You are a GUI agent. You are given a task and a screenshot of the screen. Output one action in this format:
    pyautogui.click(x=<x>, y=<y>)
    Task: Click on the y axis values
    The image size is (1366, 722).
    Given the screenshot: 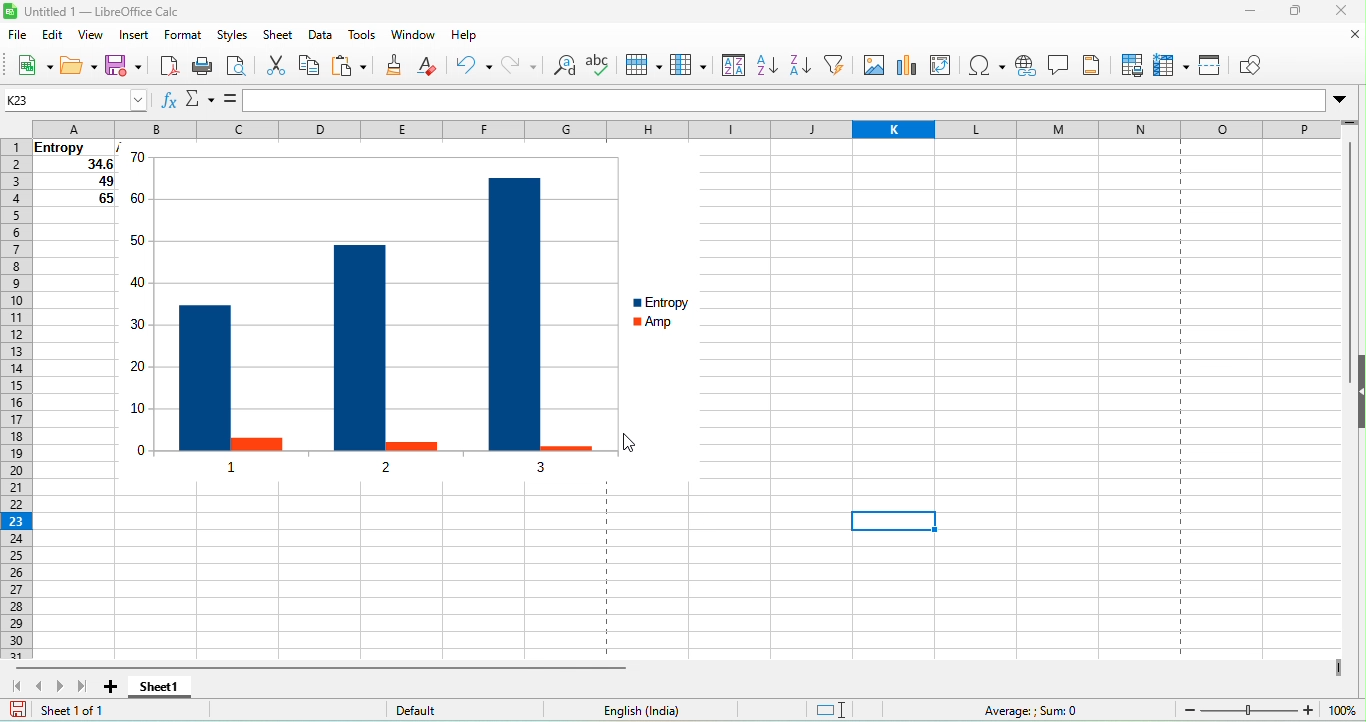 What is the action you would take?
    pyautogui.click(x=140, y=305)
    